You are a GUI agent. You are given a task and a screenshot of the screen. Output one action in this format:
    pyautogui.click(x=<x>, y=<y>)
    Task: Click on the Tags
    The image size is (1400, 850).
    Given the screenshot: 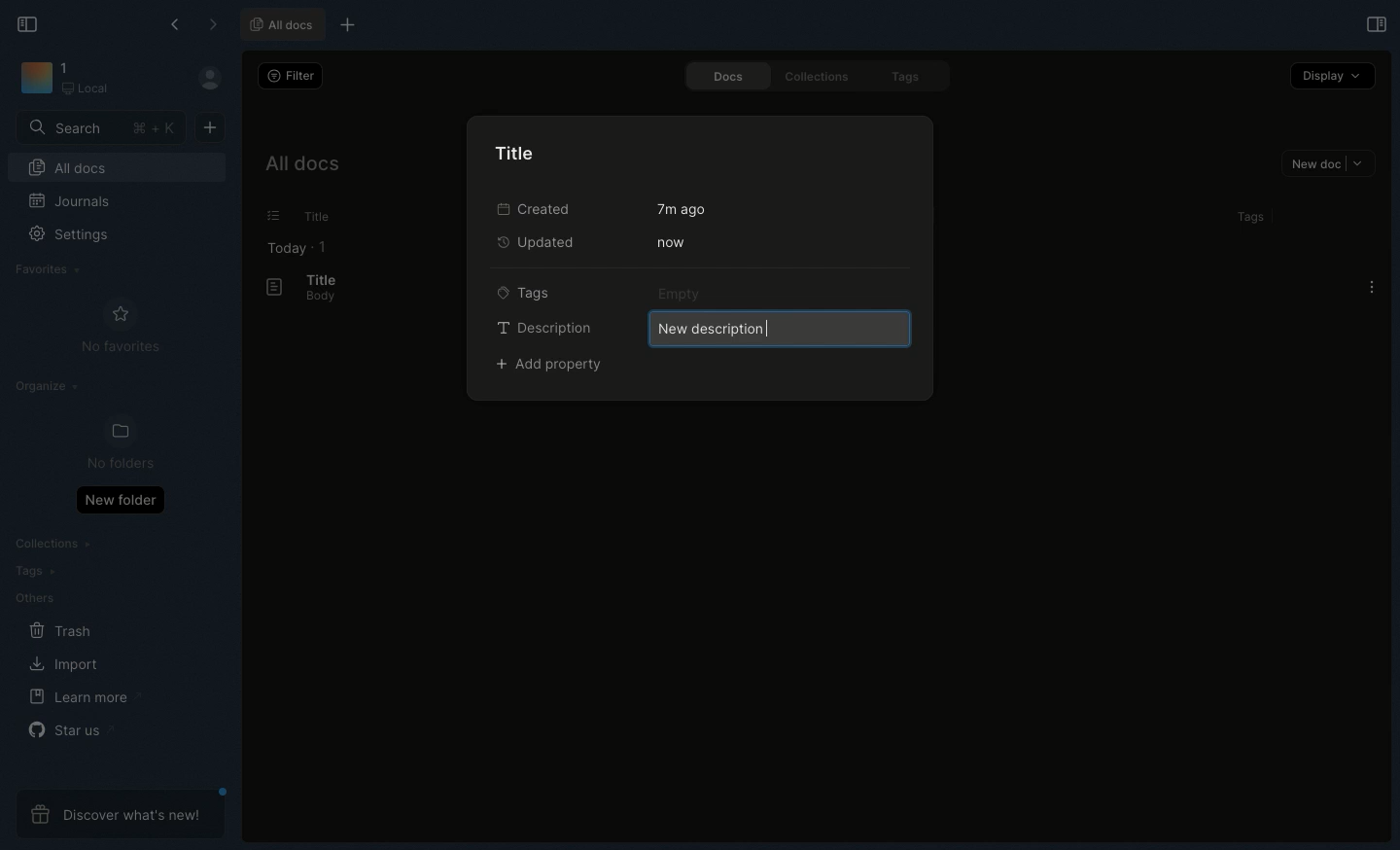 What is the action you would take?
    pyautogui.click(x=31, y=571)
    